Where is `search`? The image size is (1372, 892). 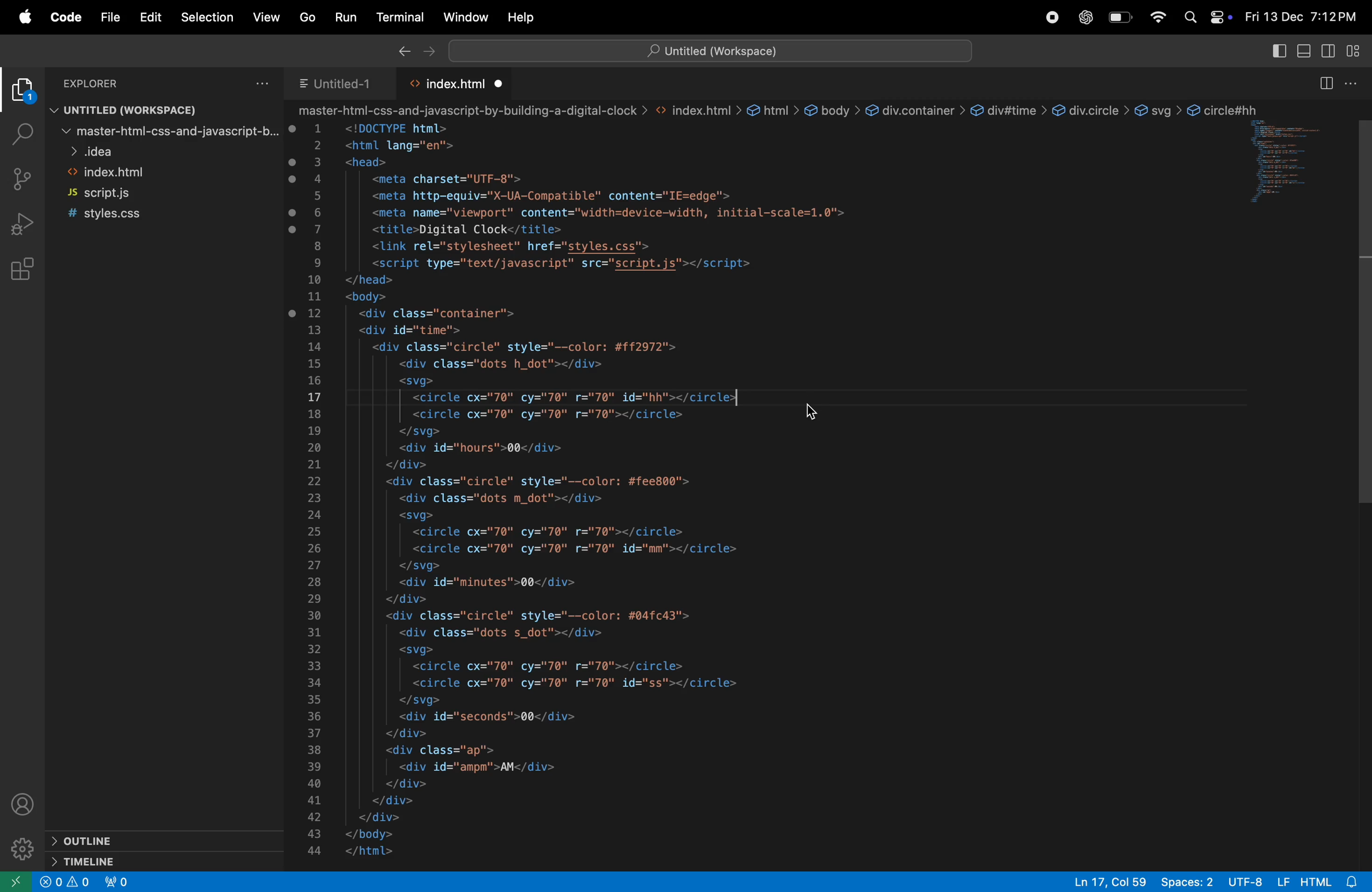 search is located at coordinates (19, 133).